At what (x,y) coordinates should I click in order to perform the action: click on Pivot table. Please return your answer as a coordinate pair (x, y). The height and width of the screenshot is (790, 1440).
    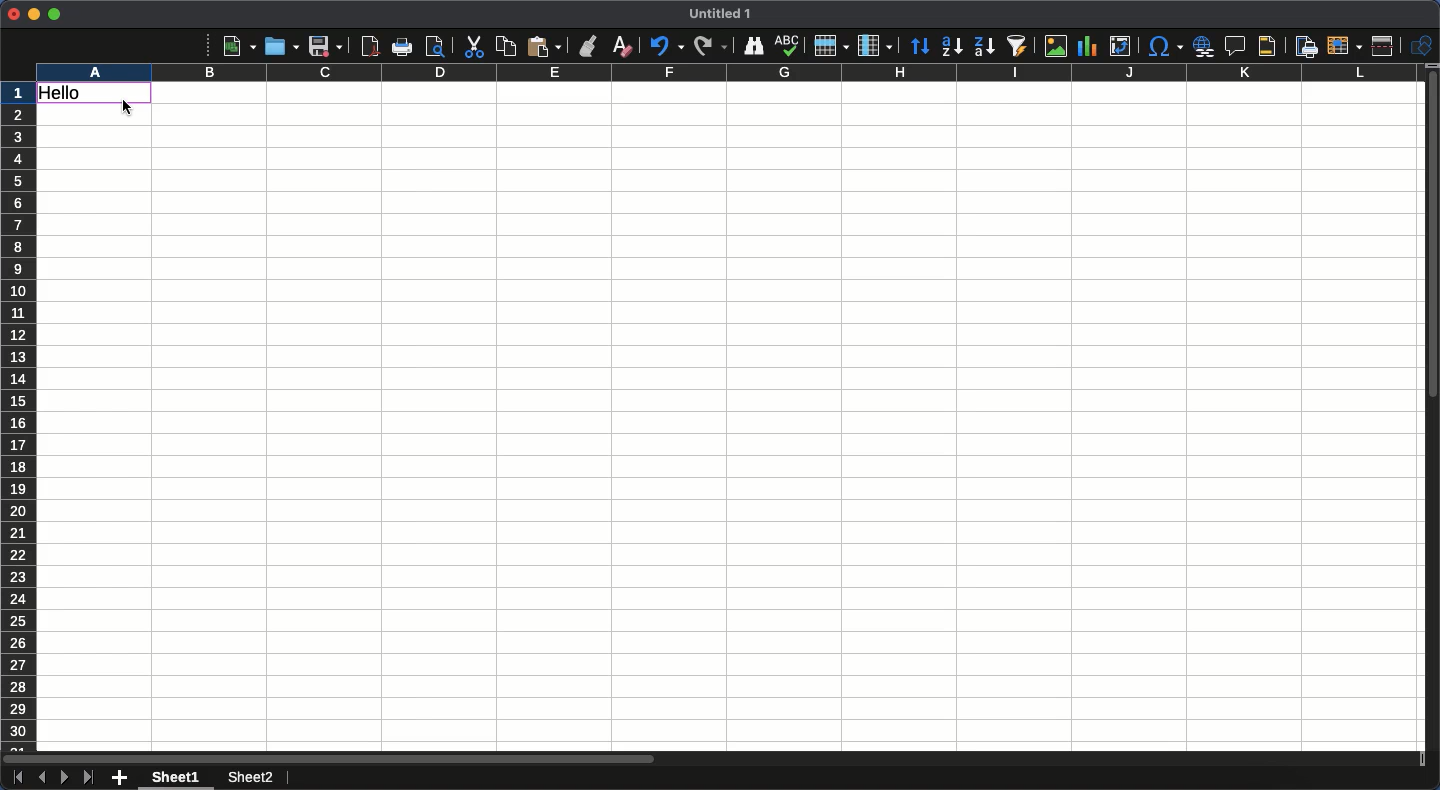
    Looking at the image, I should click on (1120, 46).